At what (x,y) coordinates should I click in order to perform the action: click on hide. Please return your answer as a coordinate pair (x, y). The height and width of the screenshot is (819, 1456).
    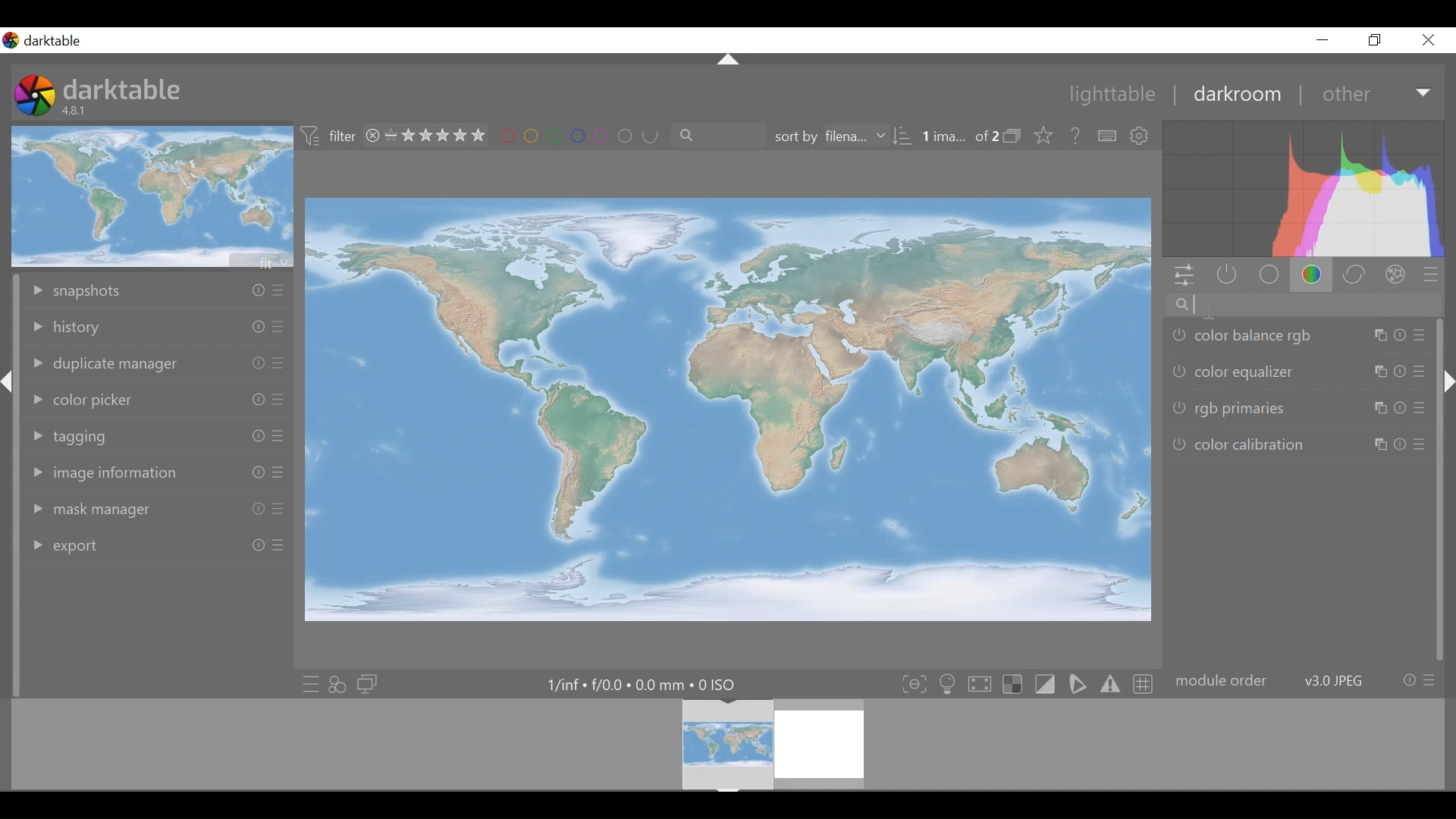
    Looking at the image, I should click on (14, 387).